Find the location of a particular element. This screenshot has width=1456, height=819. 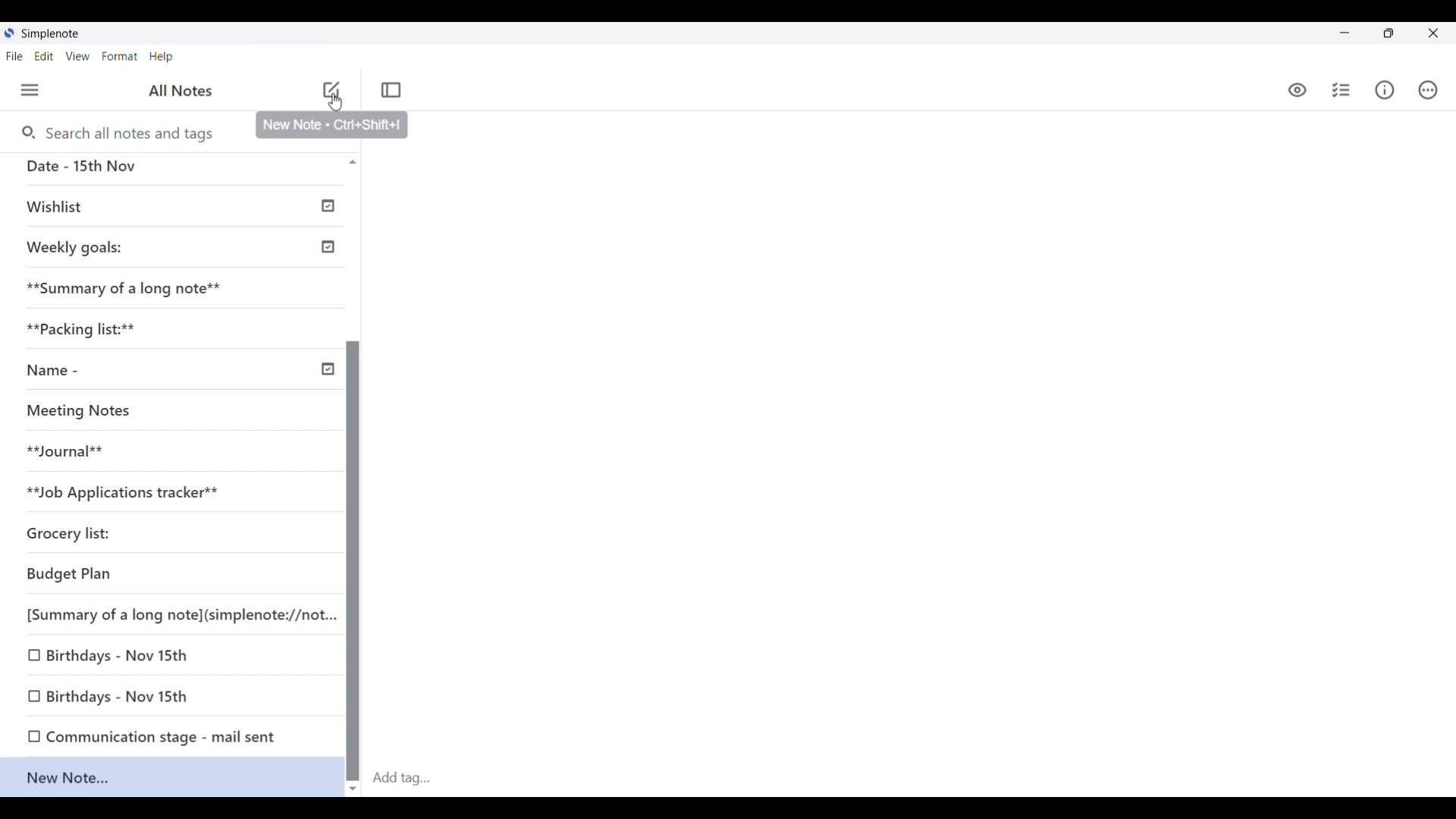

scroll down is located at coordinates (348, 788).